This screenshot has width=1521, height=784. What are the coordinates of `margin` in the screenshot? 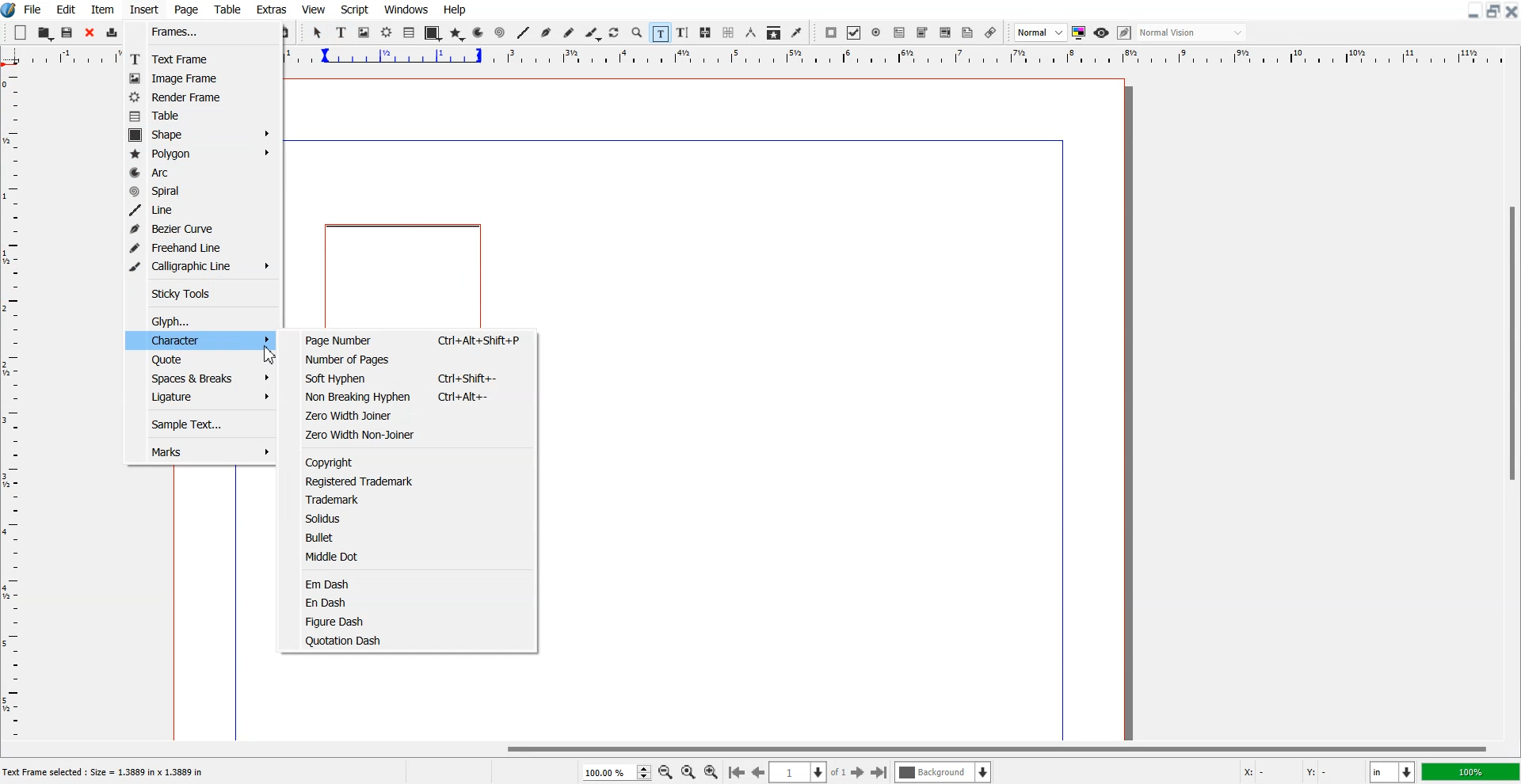 It's located at (232, 601).